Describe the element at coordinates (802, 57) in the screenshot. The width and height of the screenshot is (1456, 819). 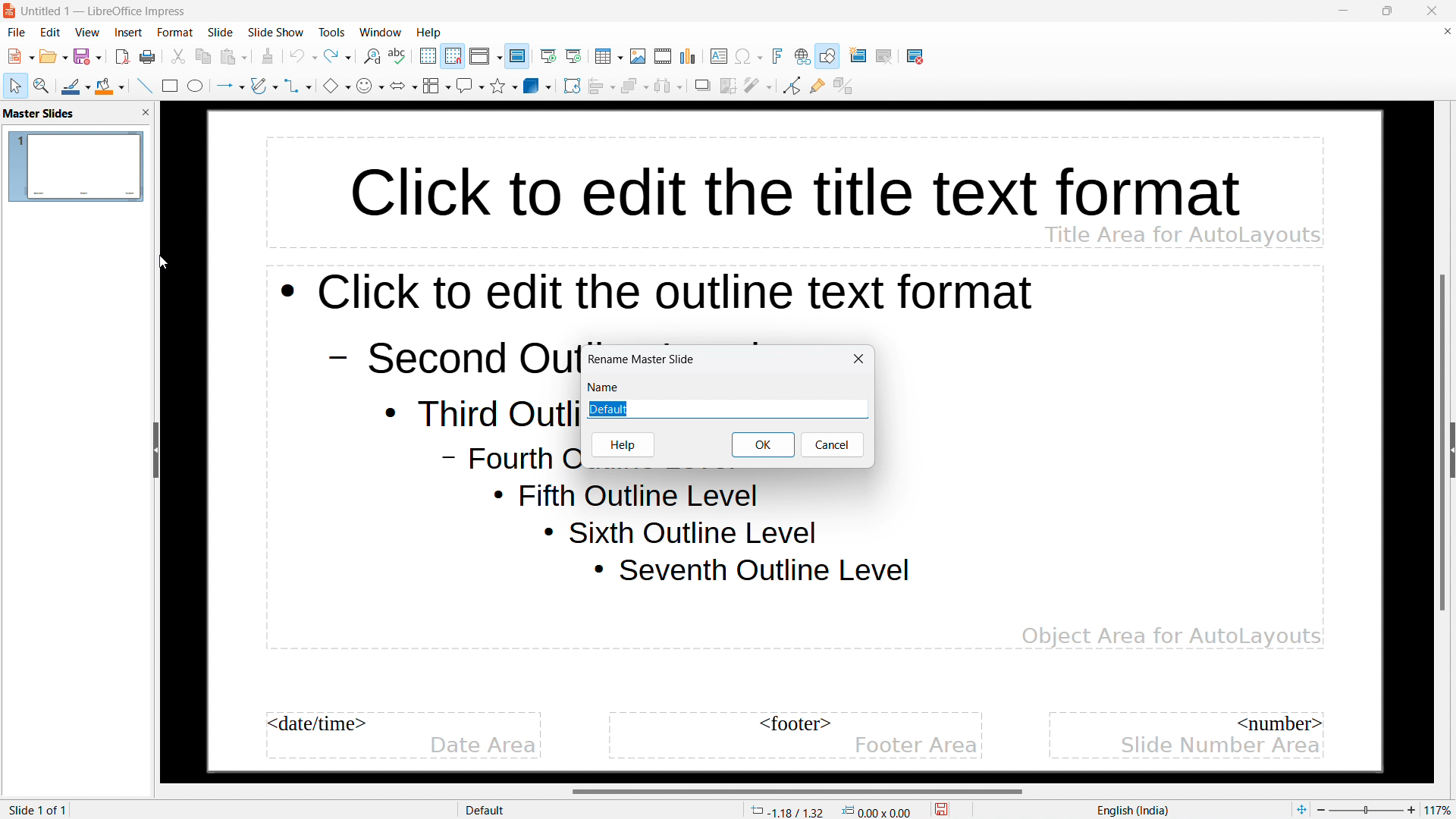
I see `insert link` at that location.